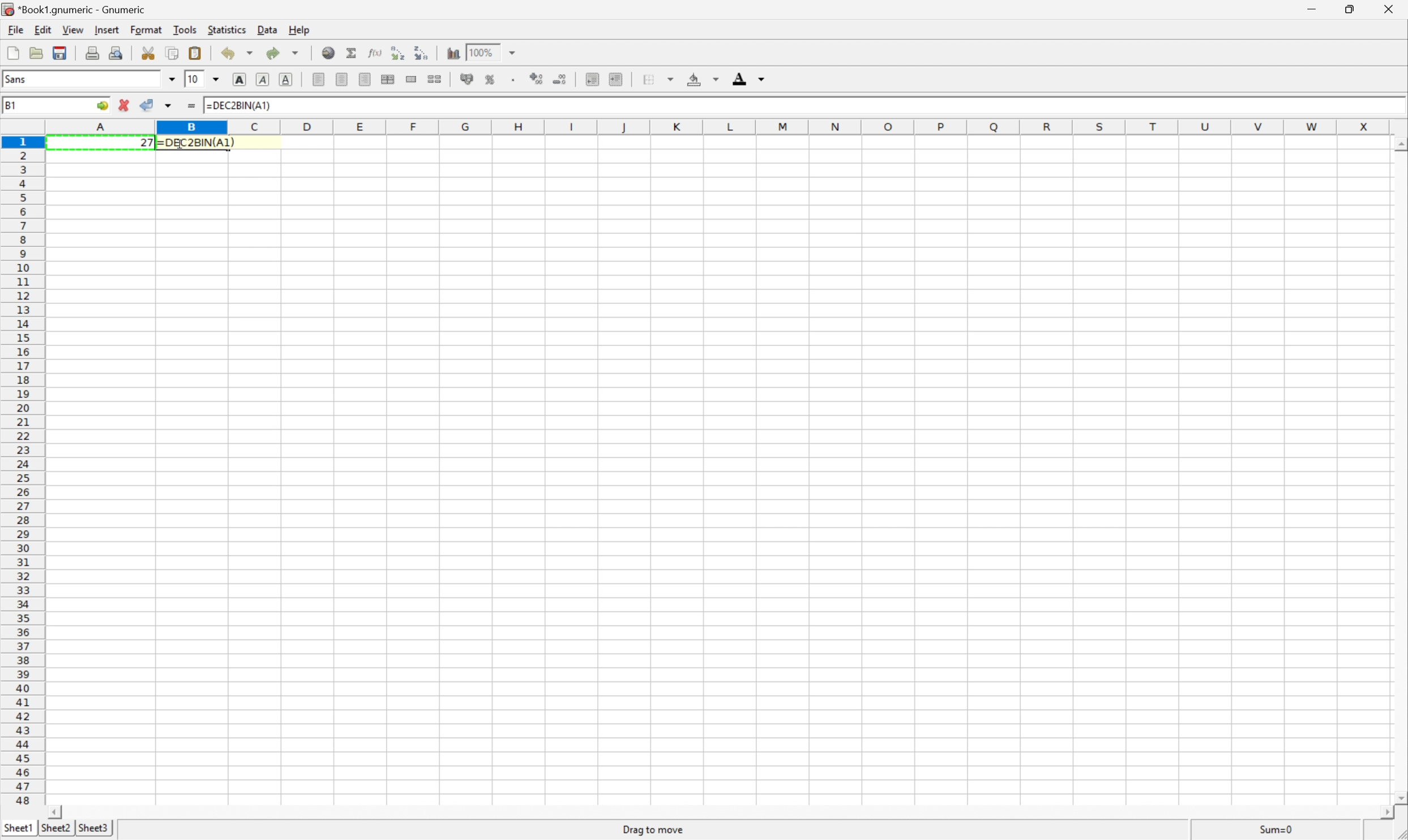 The height and width of the screenshot is (840, 1408). I want to click on Split the merged ranges of cells, so click(434, 79).